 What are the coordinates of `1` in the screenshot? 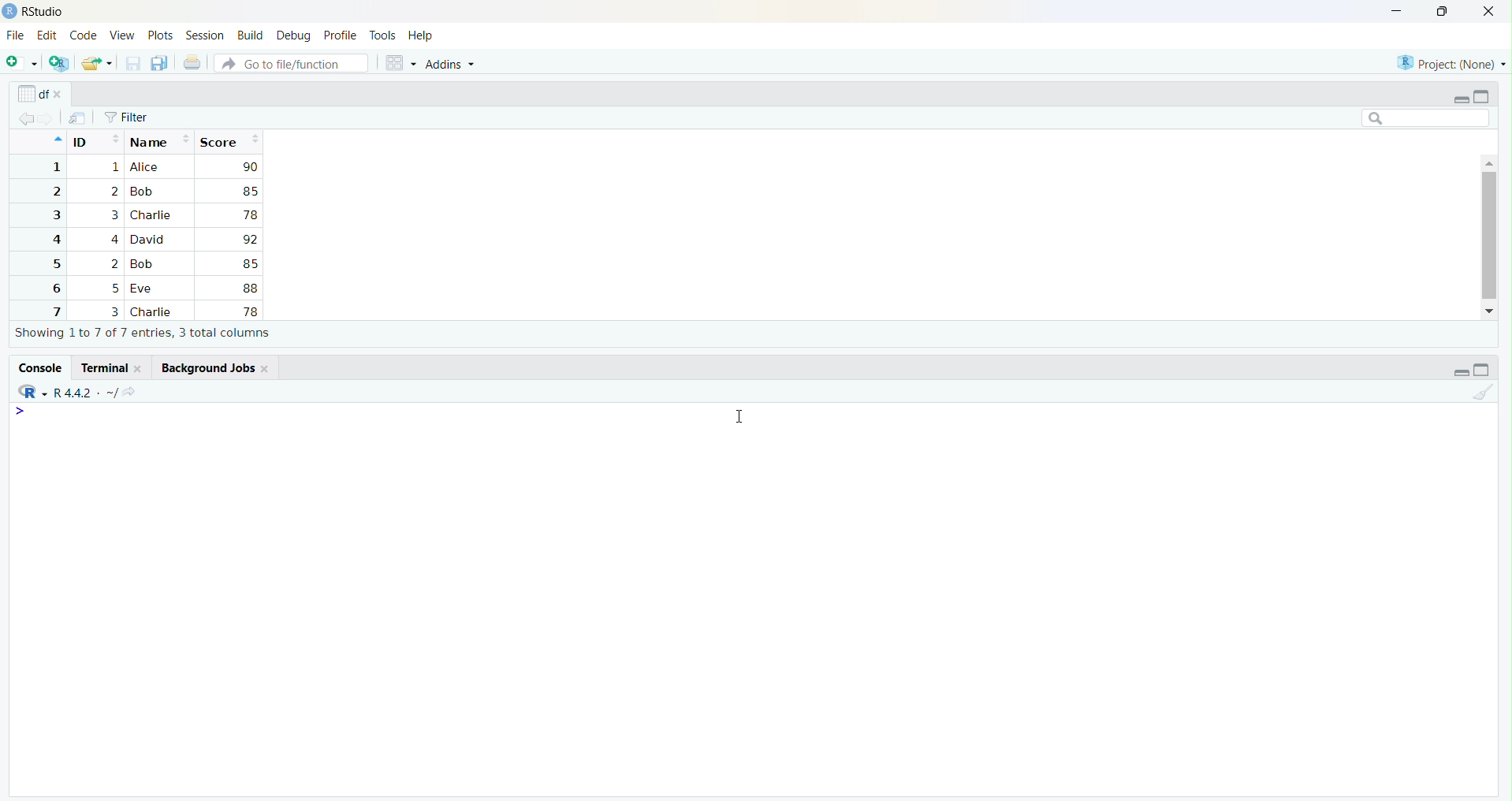 It's located at (114, 168).